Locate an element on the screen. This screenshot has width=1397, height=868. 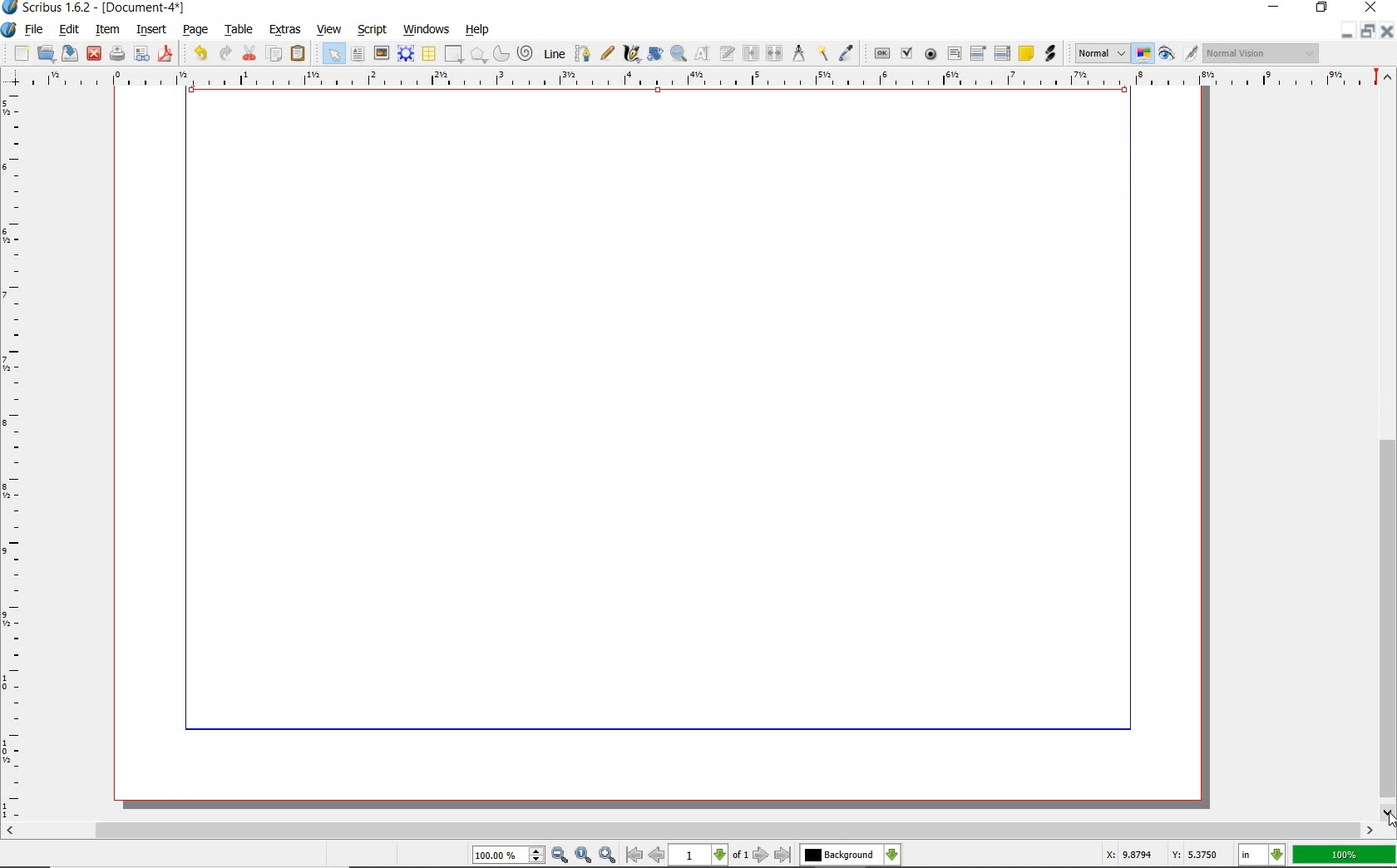
pdf check box is located at coordinates (906, 52).